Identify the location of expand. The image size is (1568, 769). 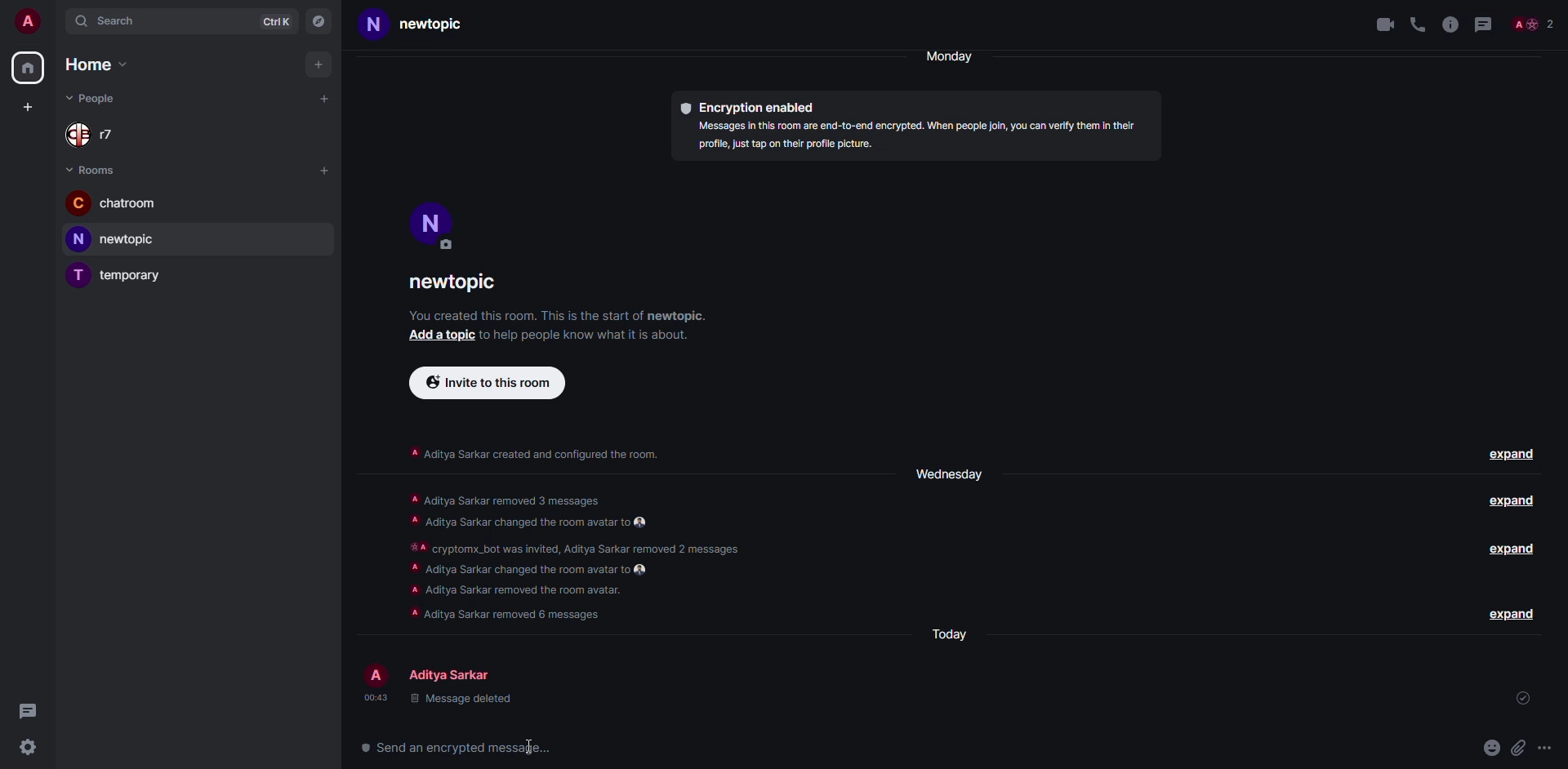
(1512, 456).